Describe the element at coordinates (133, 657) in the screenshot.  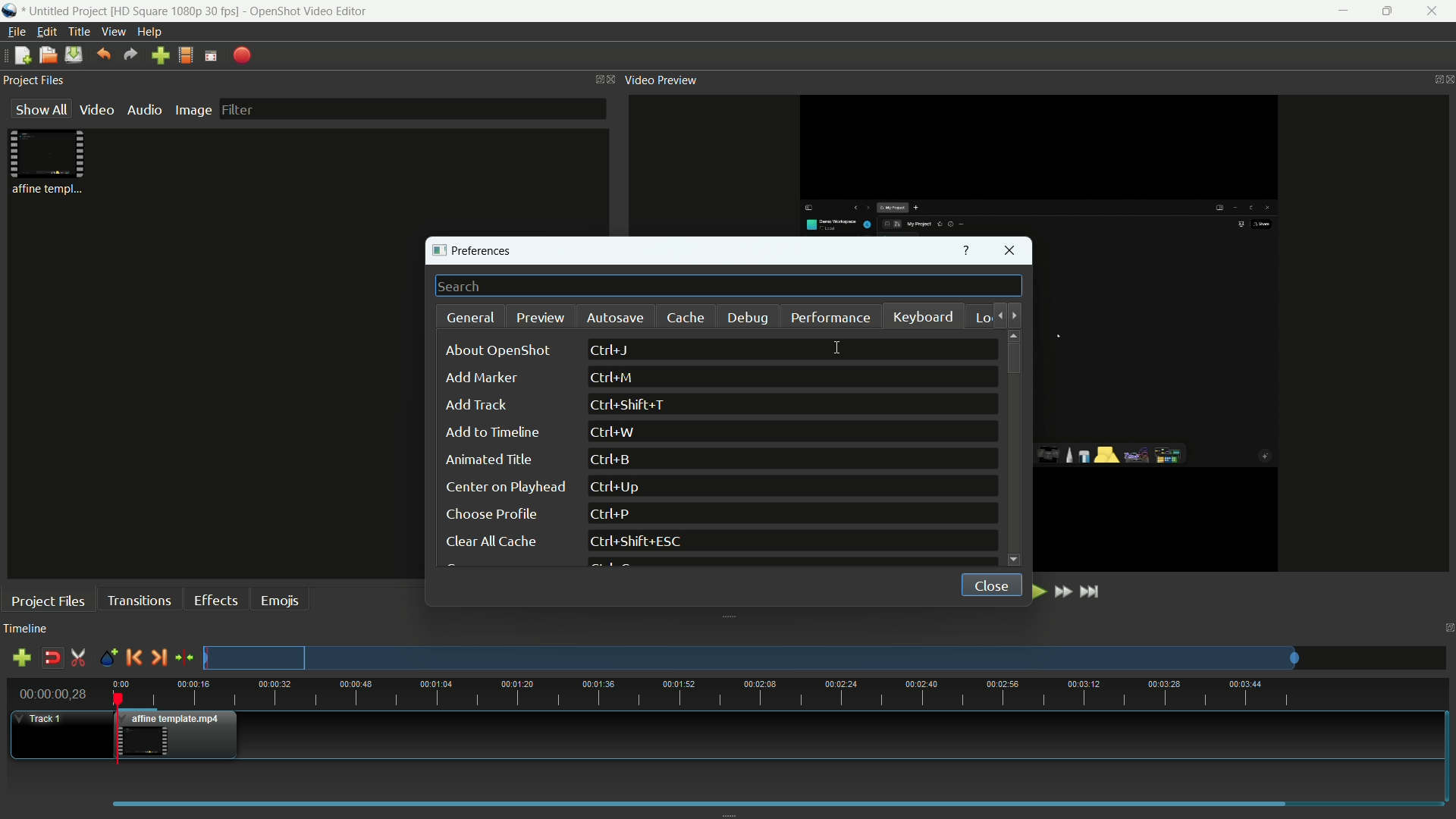
I see `previous marker` at that location.